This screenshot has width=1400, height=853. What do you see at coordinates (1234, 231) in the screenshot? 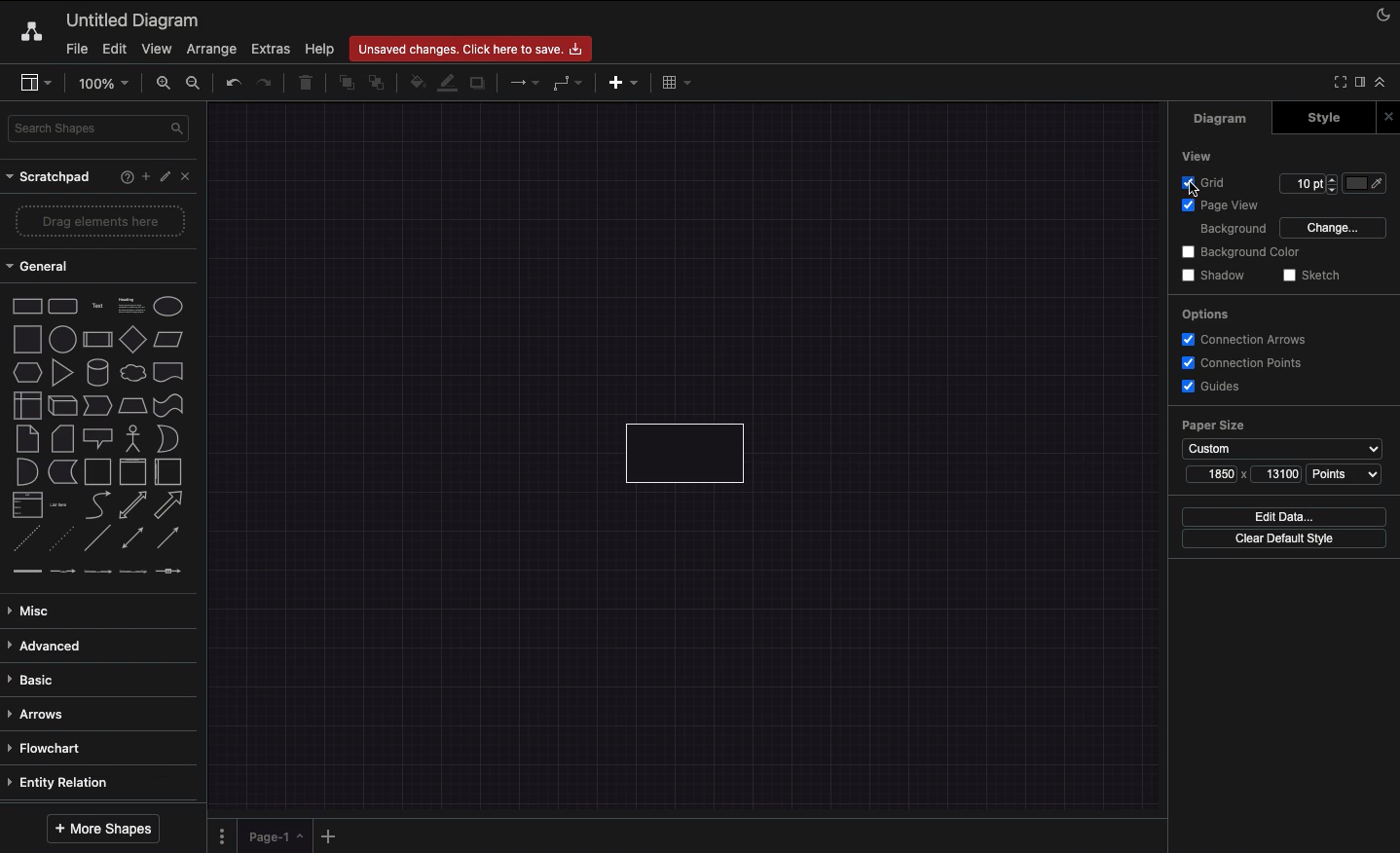
I see `Background` at bounding box center [1234, 231].